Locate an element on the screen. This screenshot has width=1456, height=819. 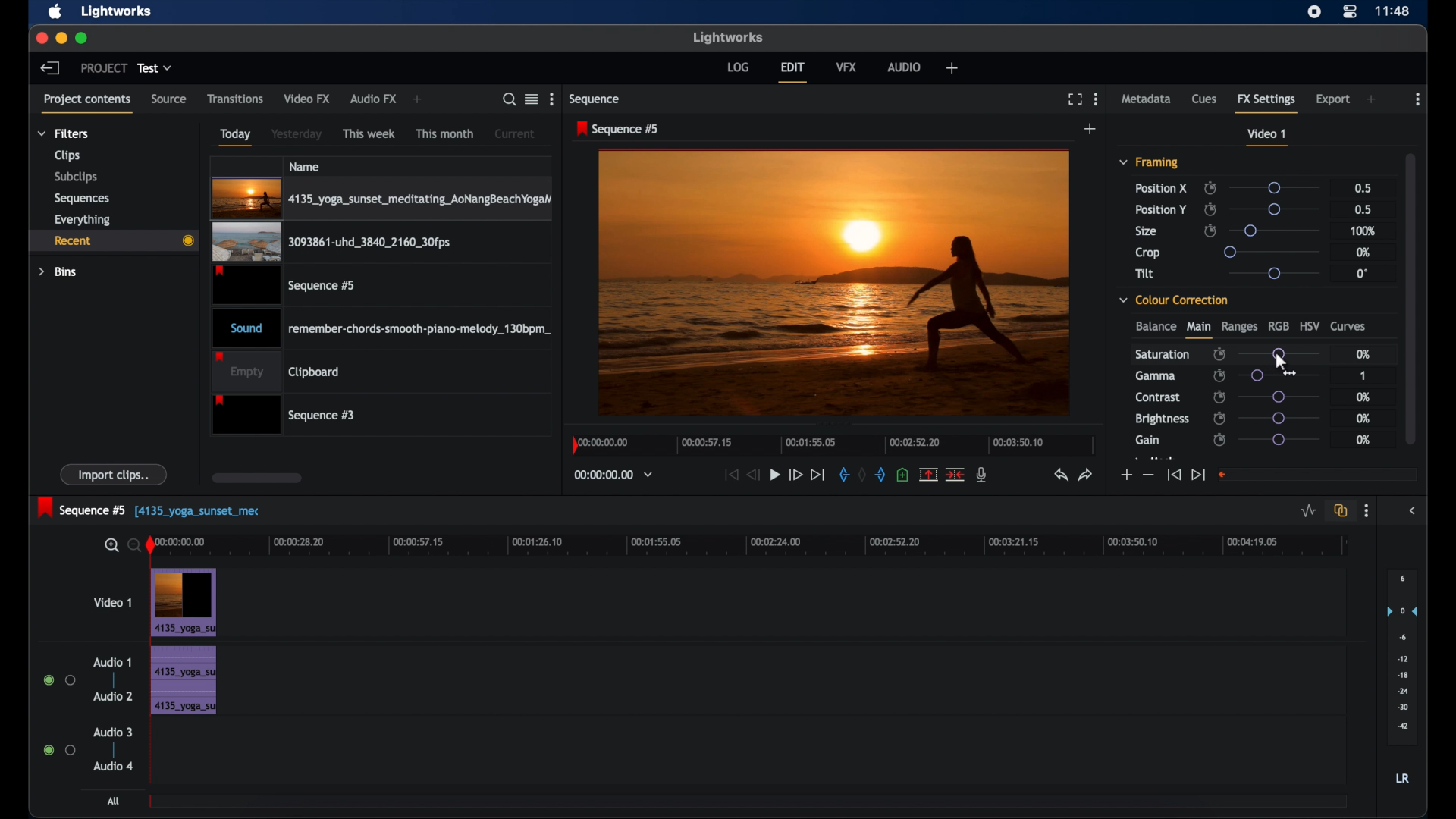
audio  is located at coordinates (182, 680).